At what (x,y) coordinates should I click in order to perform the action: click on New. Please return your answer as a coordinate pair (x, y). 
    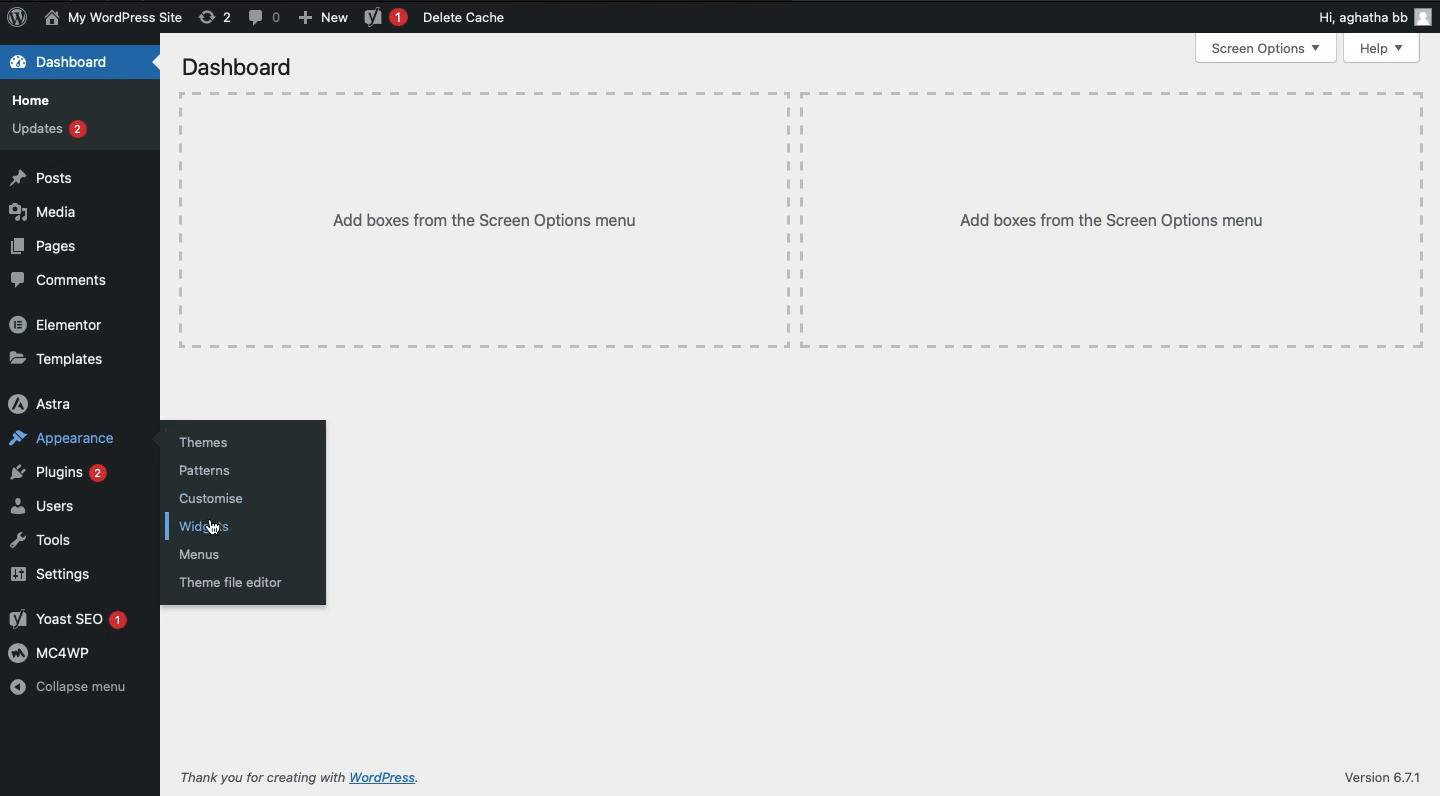
    Looking at the image, I should click on (326, 18).